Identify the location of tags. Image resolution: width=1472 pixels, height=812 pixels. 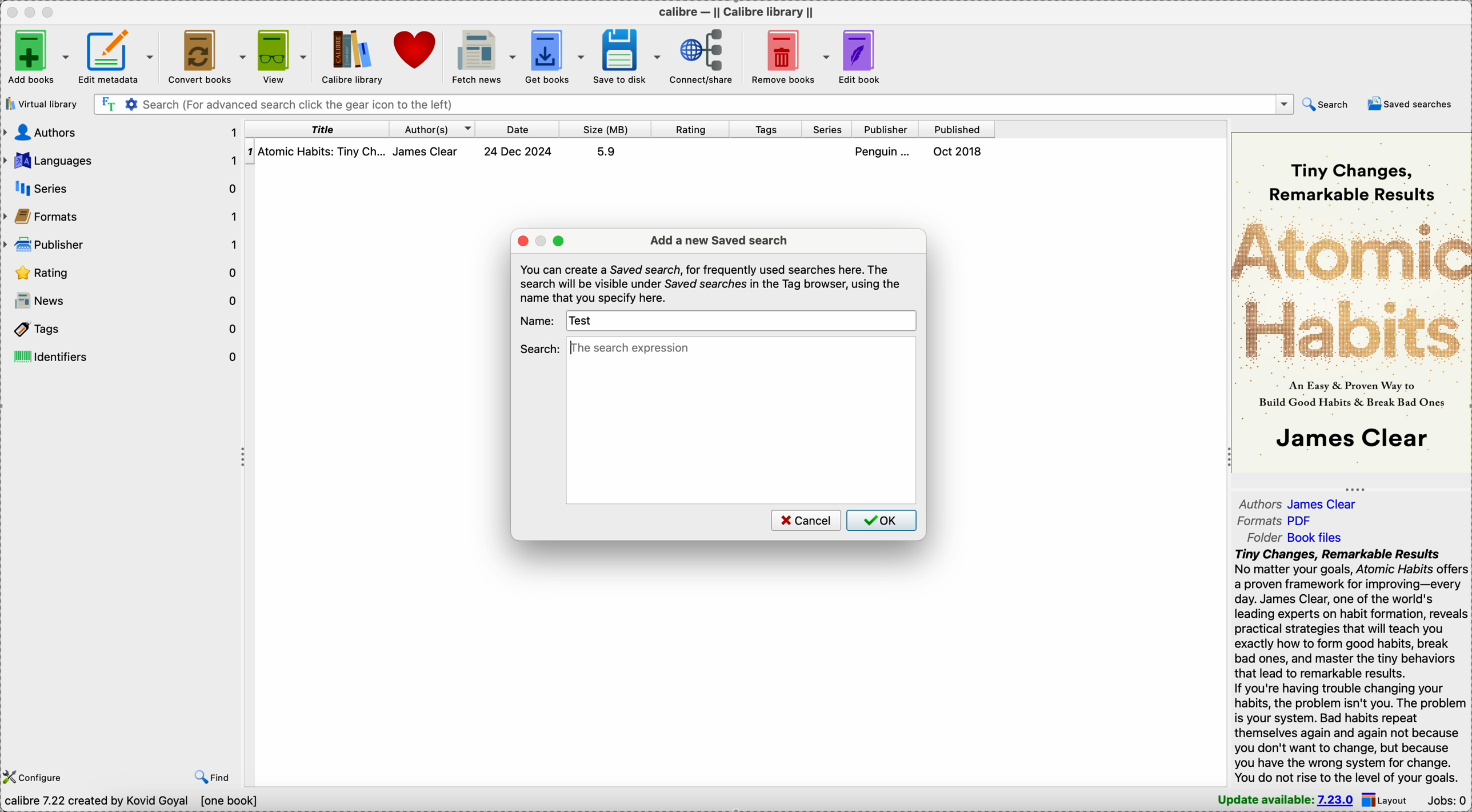
(767, 130).